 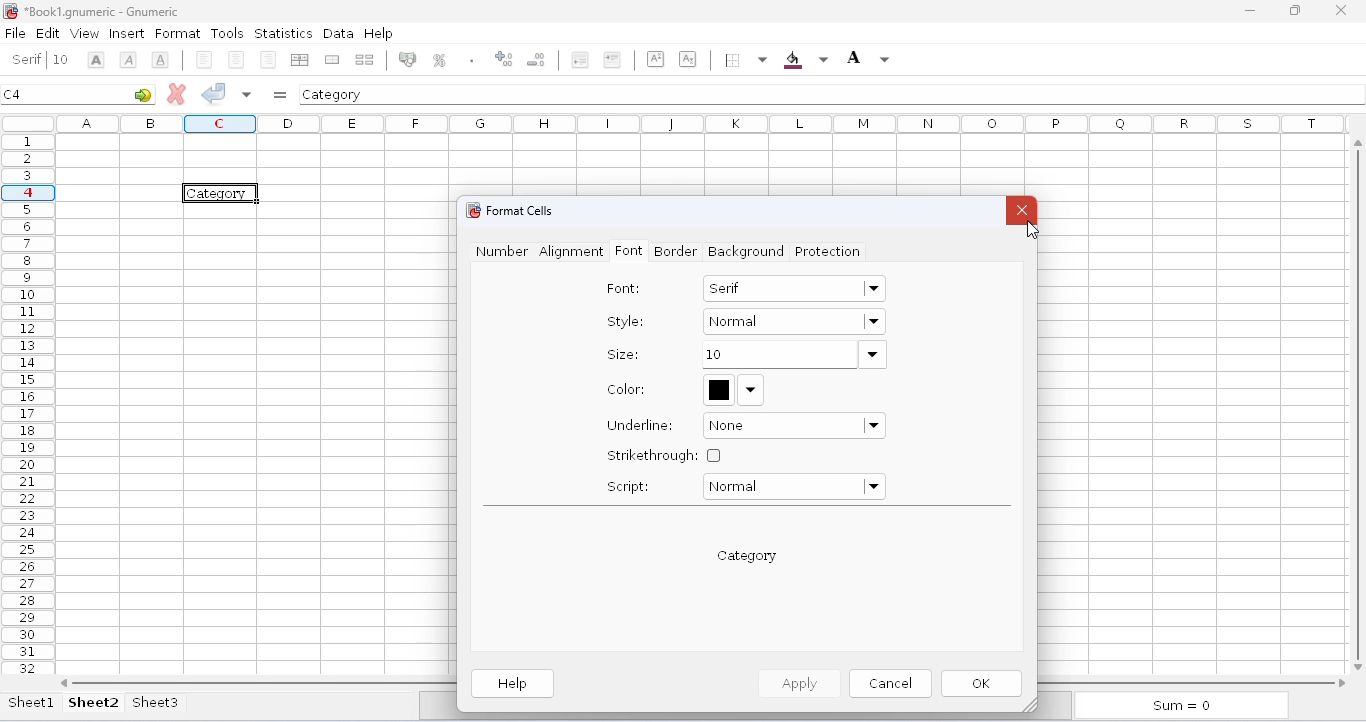 I want to click on border, so click(x=675, y=251).